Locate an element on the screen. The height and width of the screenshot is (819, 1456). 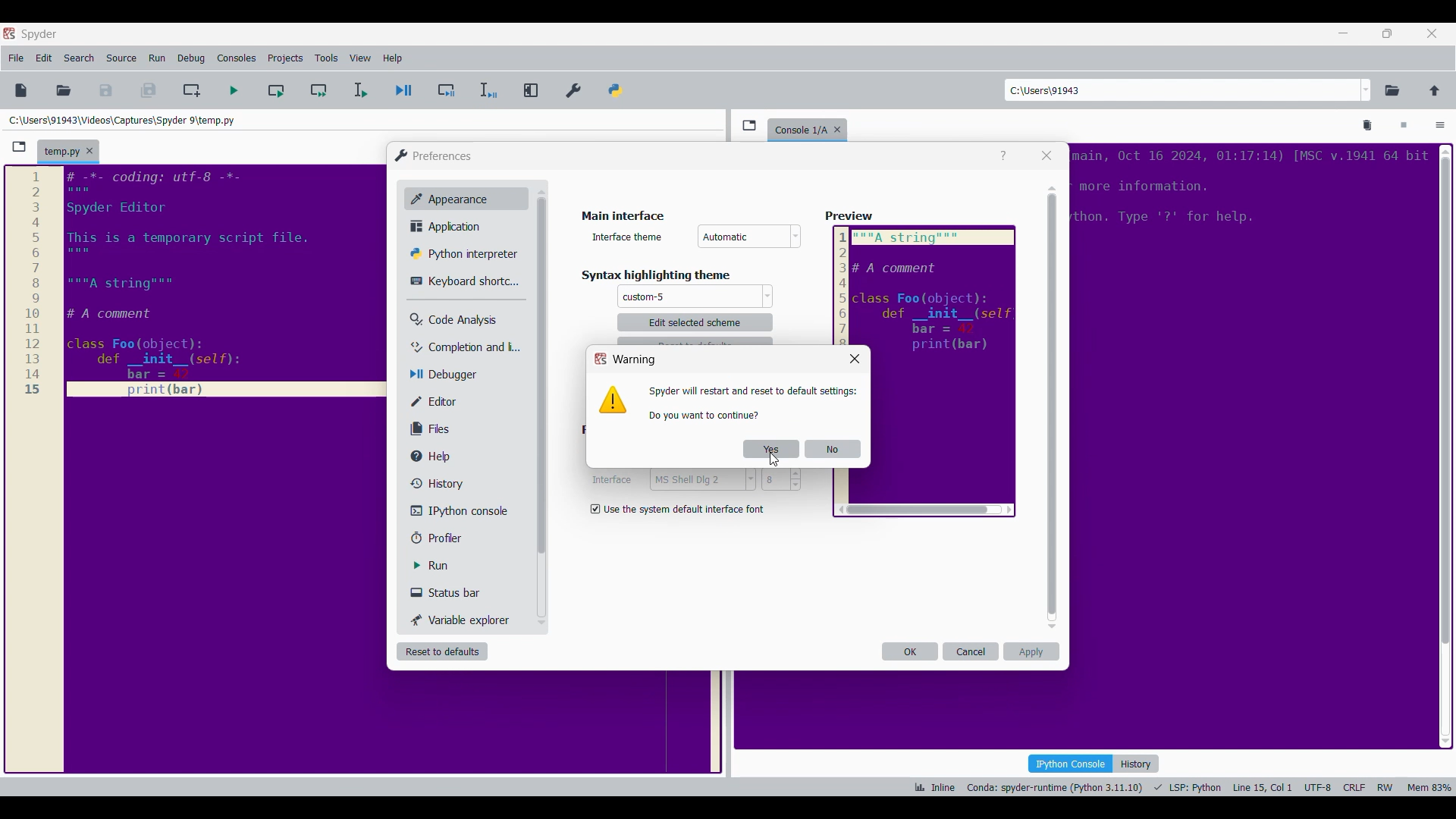
Close interface is located at coordinates (1432, 33).